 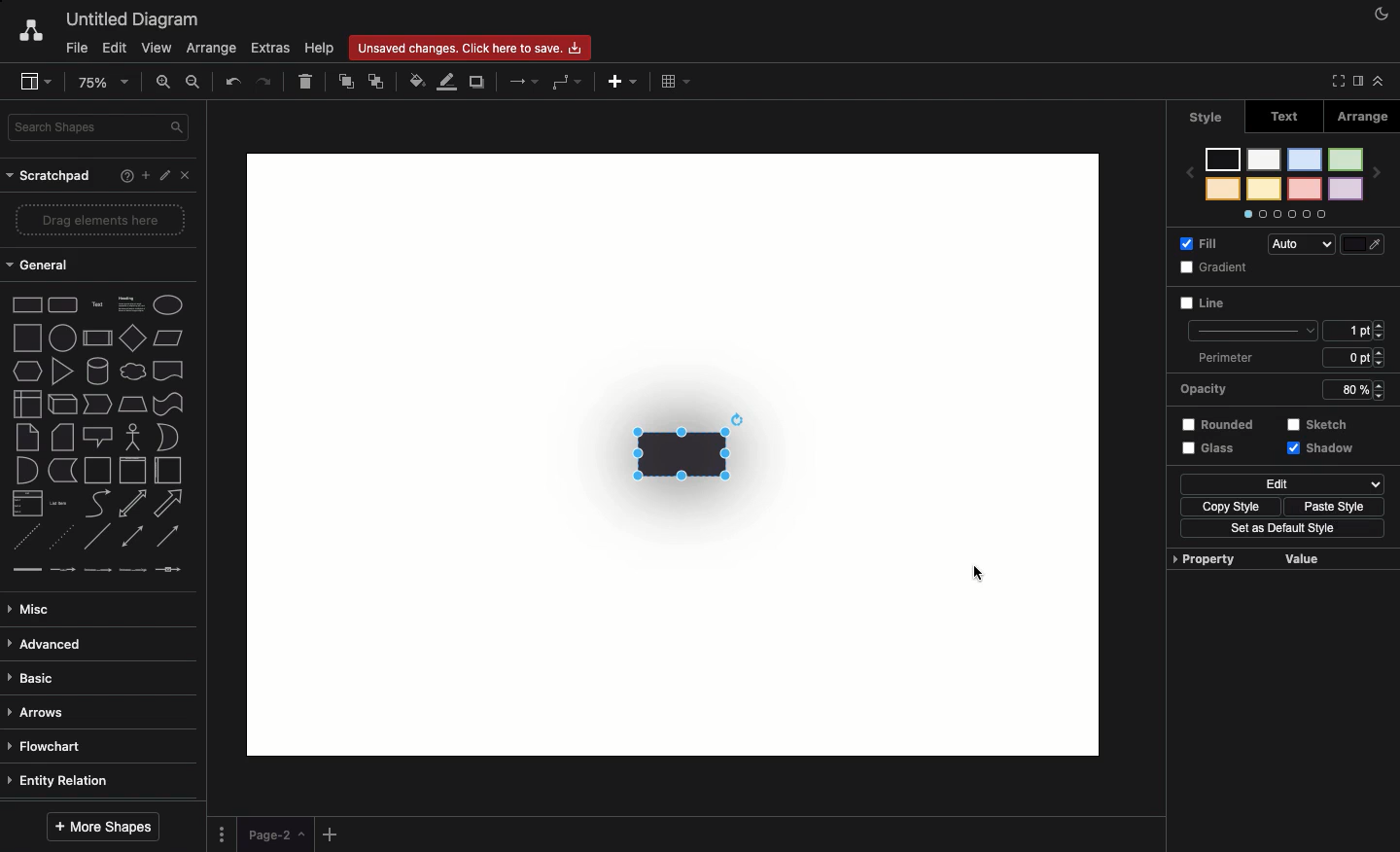 I want to click on Edit, so click(x=113, y=49).